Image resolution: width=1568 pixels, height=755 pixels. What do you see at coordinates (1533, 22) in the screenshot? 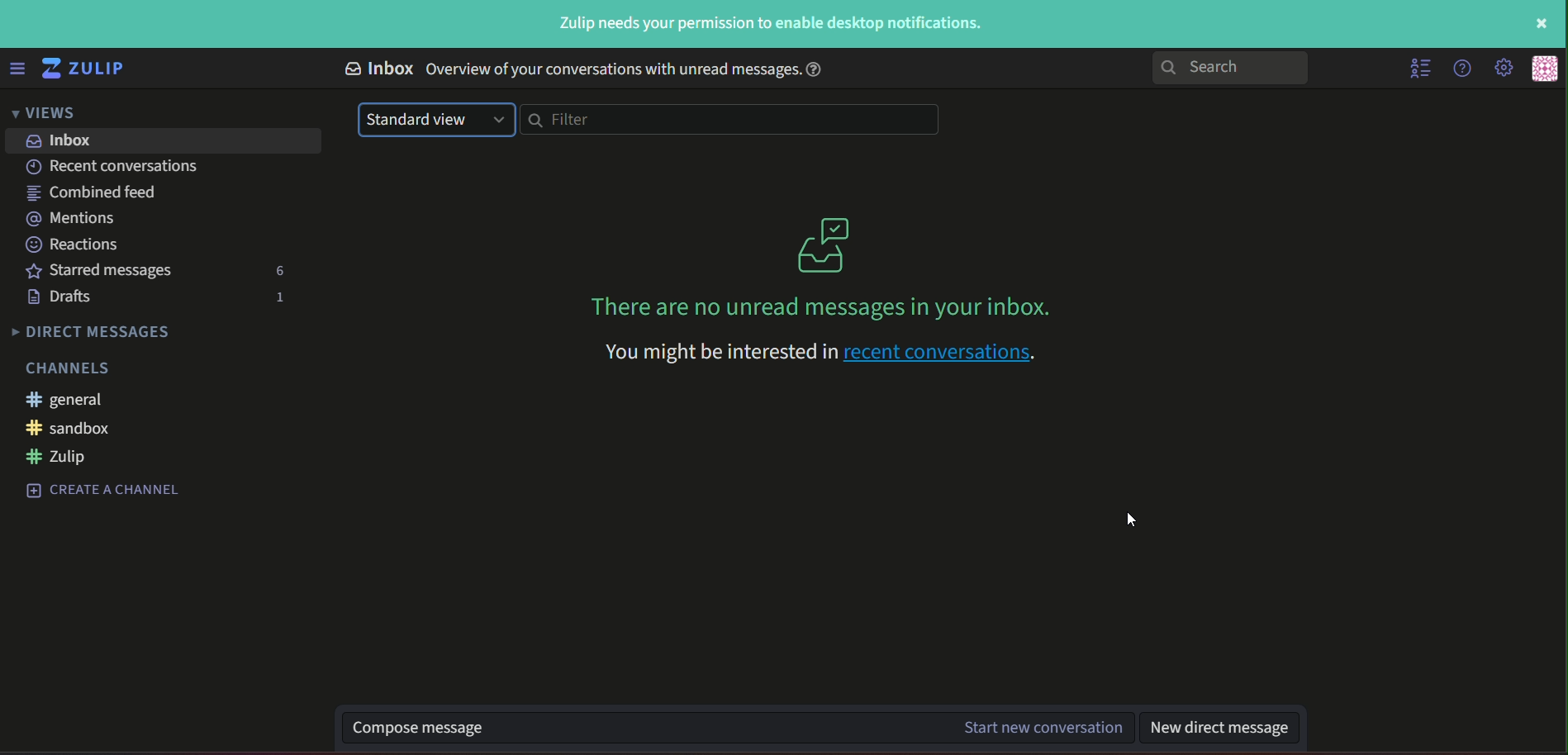
I see `Close` at bounding box center [1533, 22].